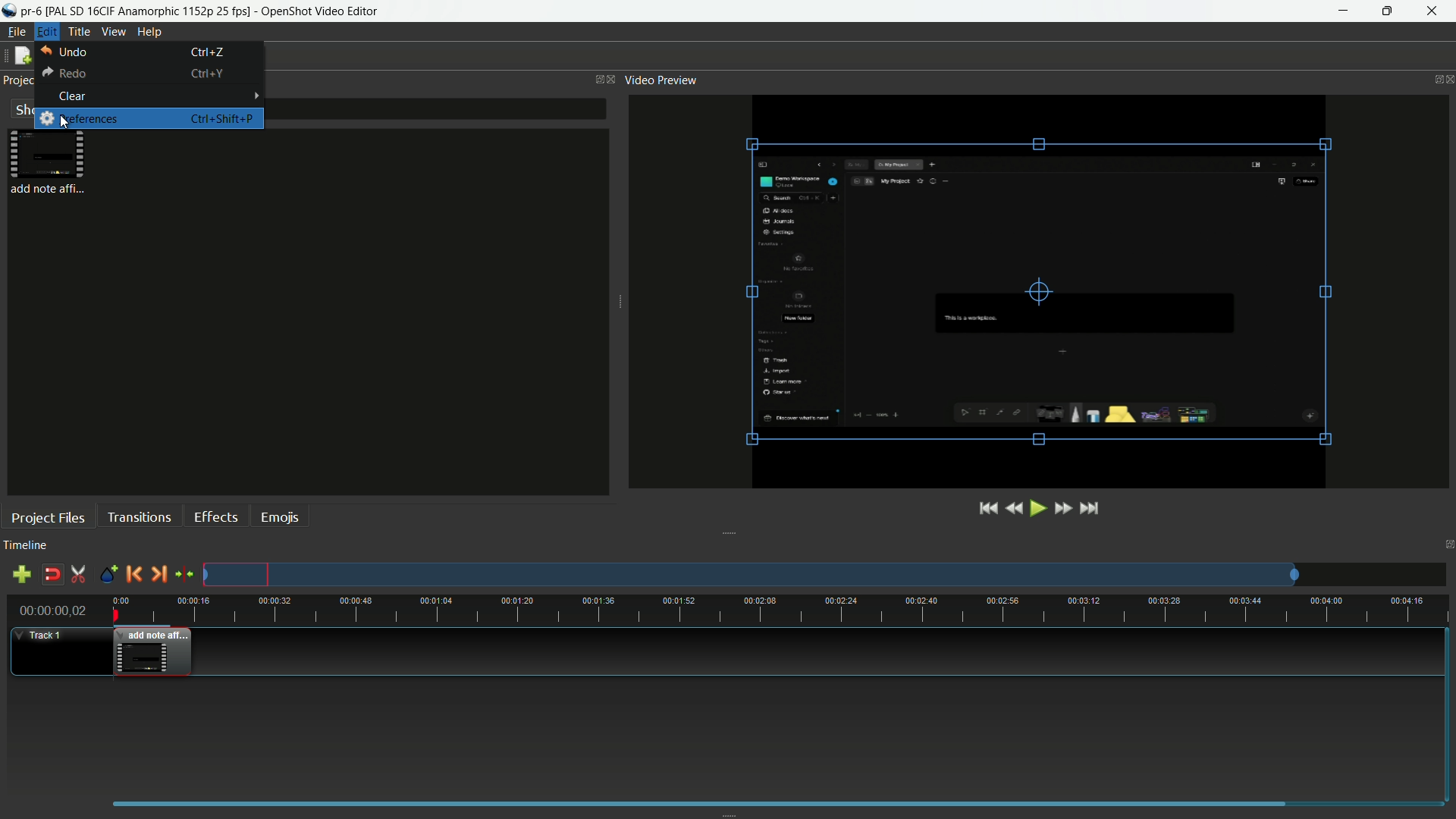 The image size is (1456, 819). What do you see at coordinates (1447, 544) in the screenshot?
I see `change layout` at bounding box center [1447, 544].